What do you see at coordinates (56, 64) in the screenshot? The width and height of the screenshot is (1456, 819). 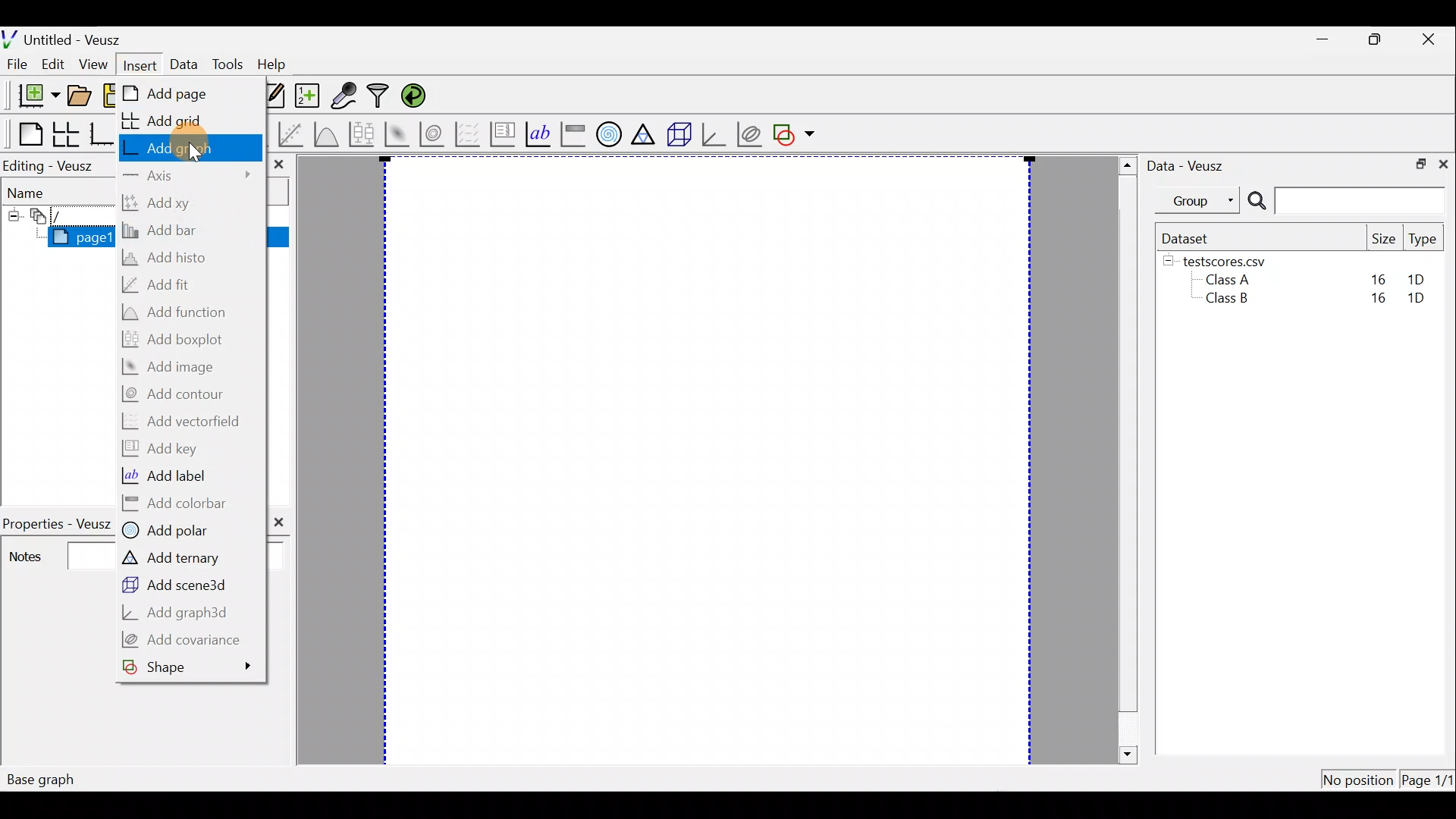 I see `Edit` at bounding box center [56, 64].